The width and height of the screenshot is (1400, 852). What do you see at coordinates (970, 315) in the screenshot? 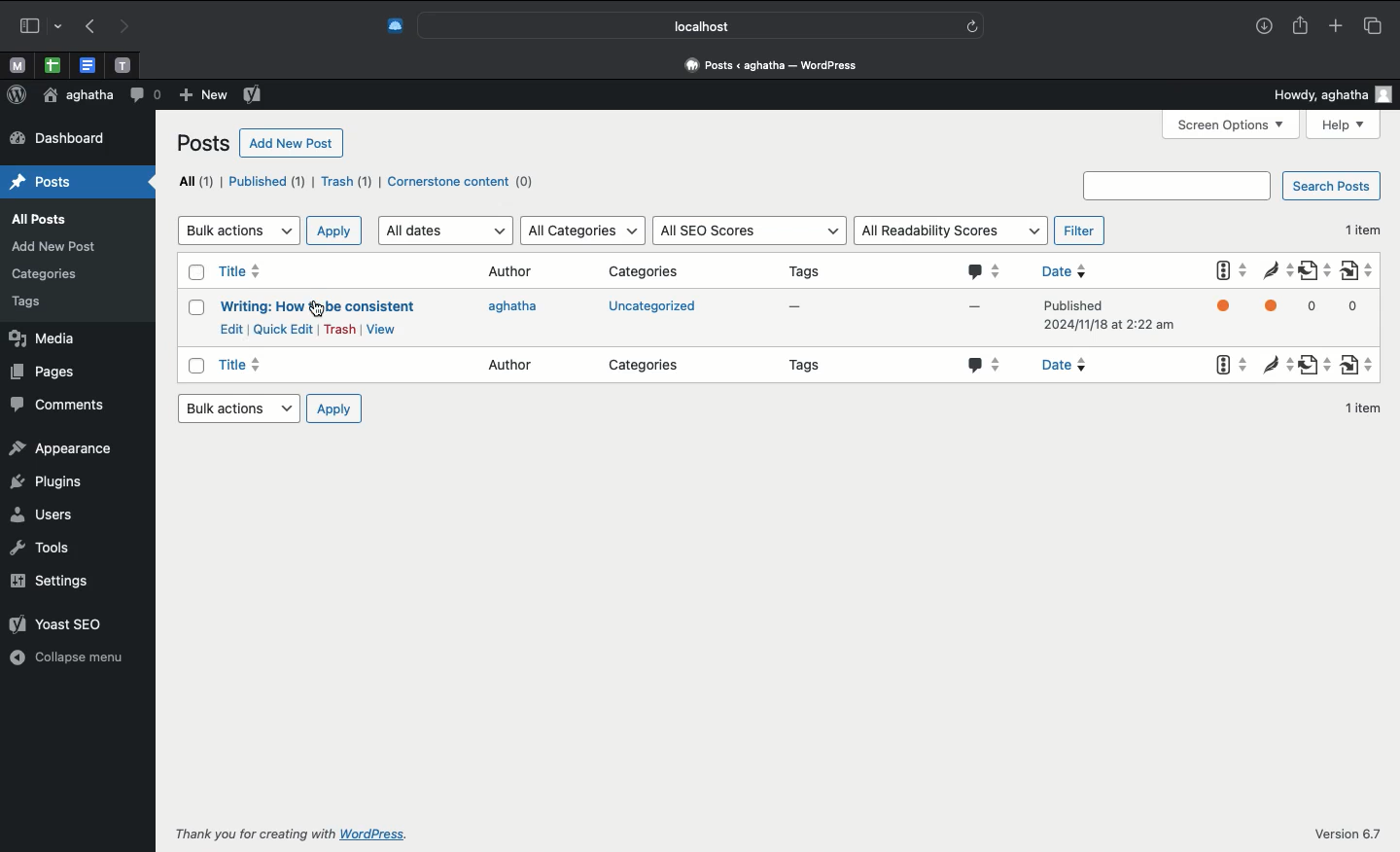
I see `no Comment` at bounding box center [970, 315].